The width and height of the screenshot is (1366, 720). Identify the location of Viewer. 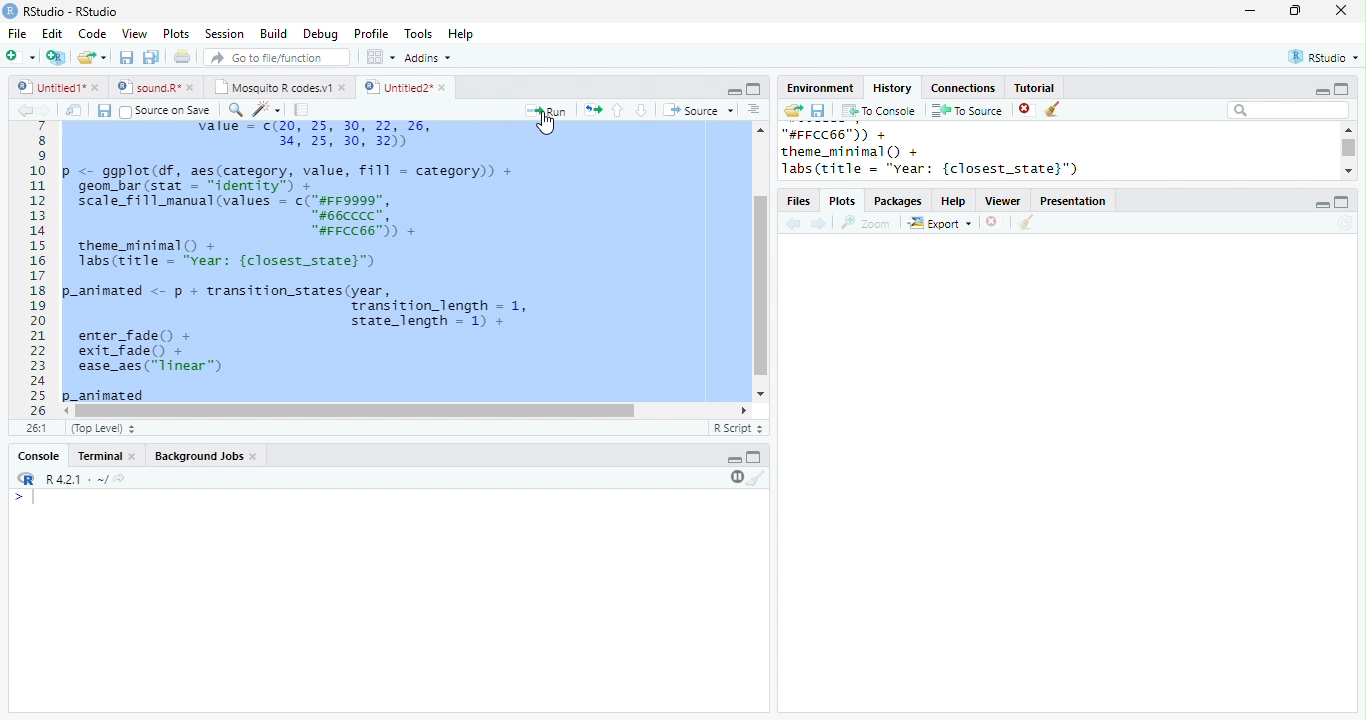
(1003, 201).